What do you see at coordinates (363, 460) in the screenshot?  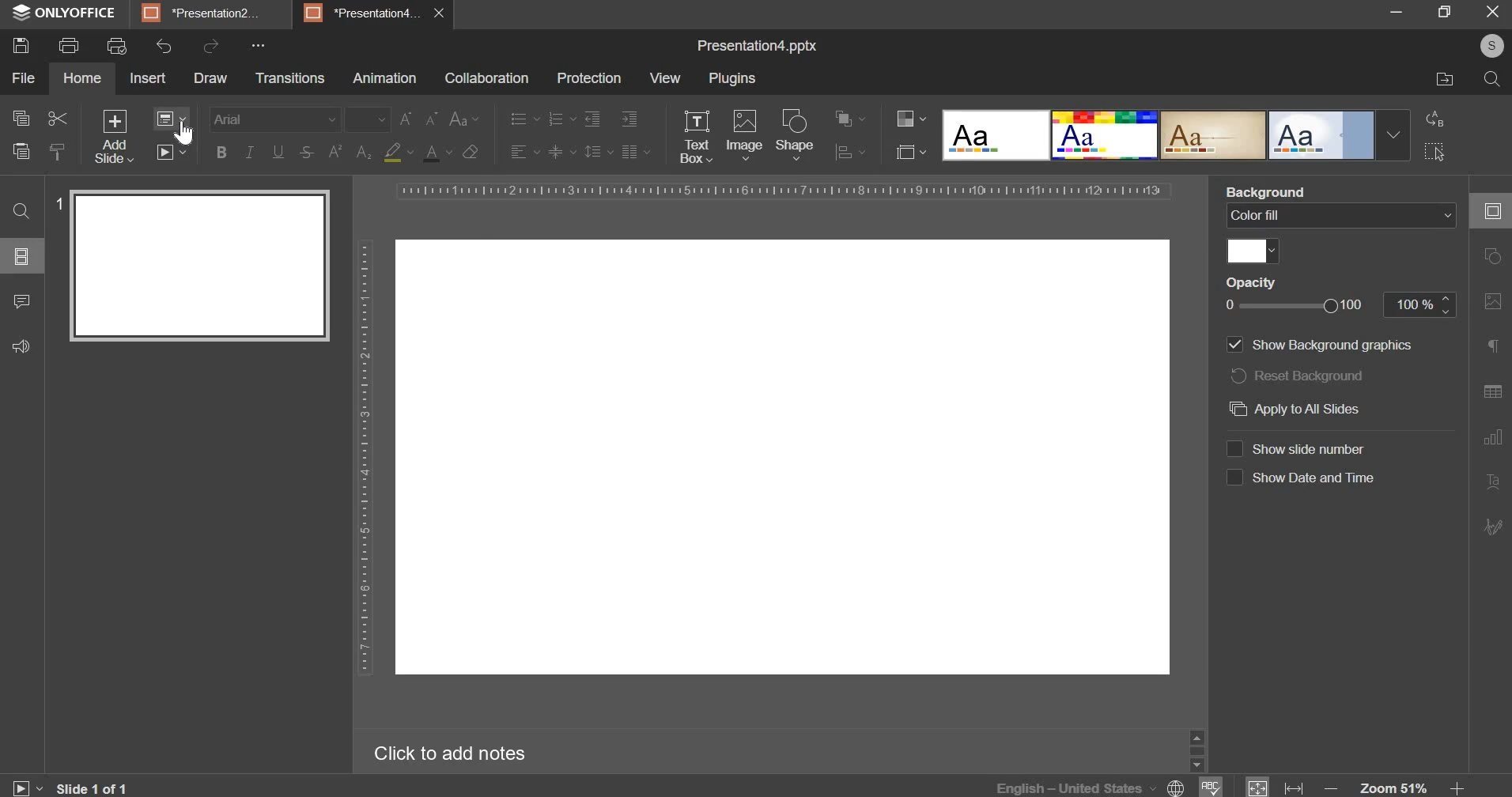 I see `vertical scale` at bounding box center [363, 460].